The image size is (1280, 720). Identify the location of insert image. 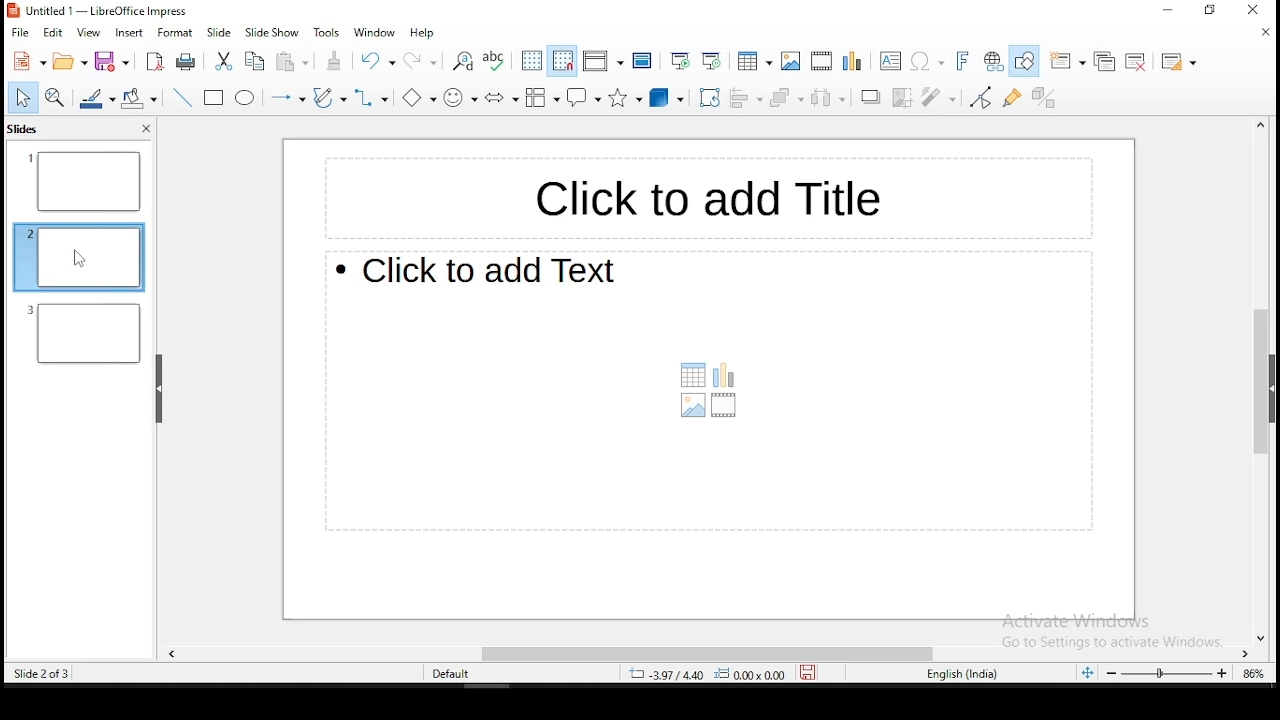
(792, 61).